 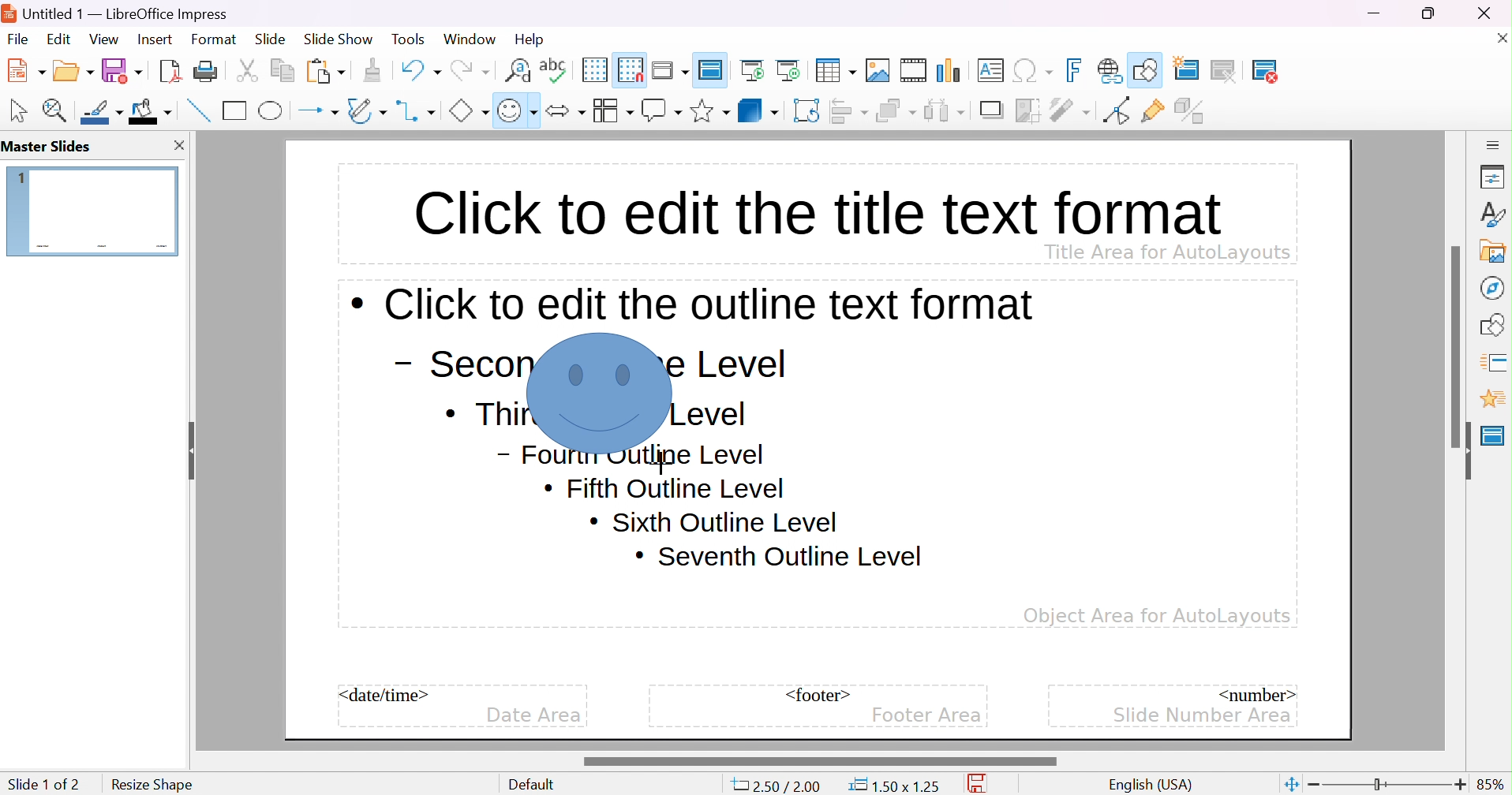 What do you see at coordinates (836, 69) in the screenshot?
I see `table` at bounding box center [836, 69].